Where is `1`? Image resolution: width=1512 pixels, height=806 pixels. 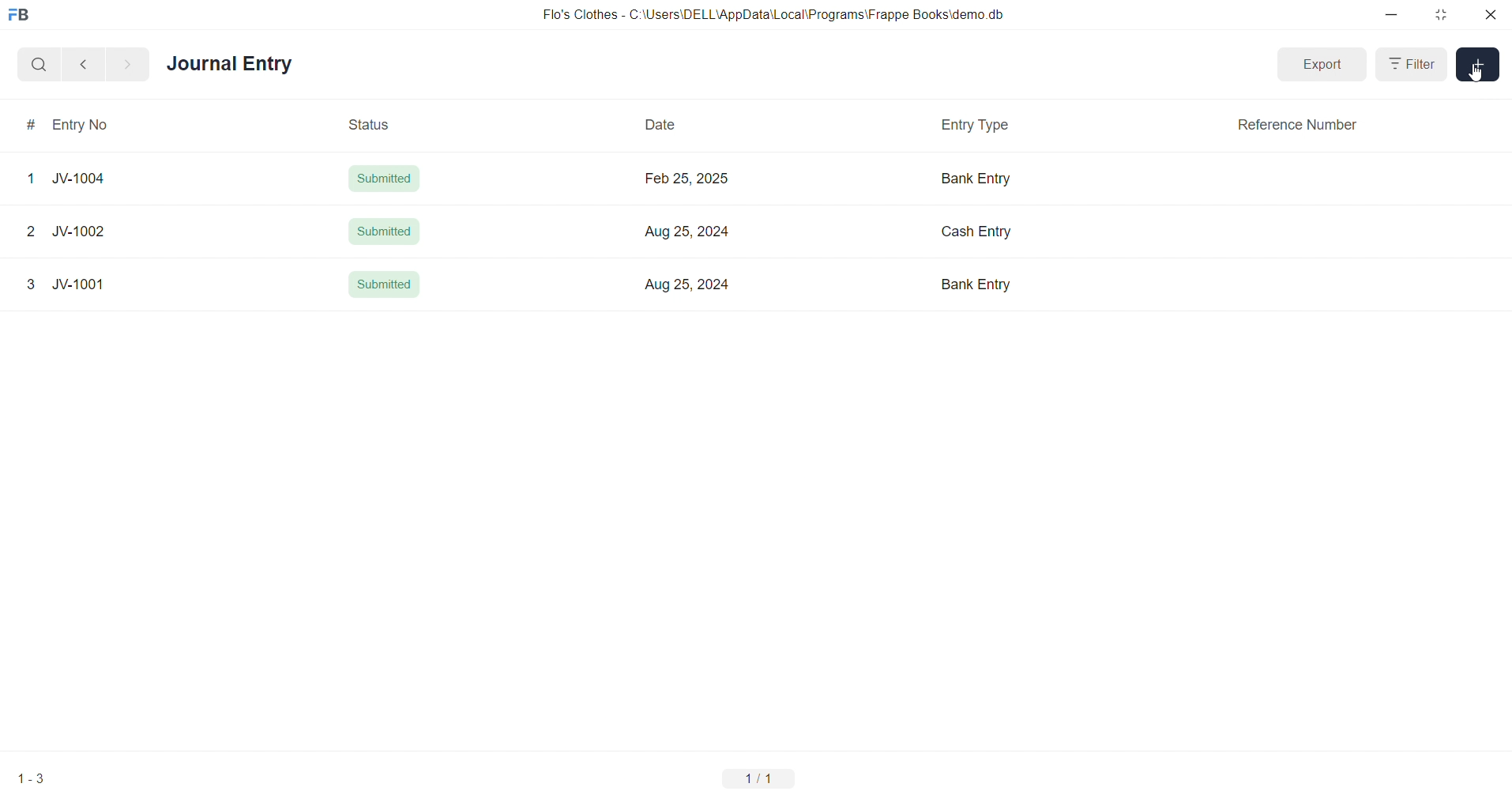
1 is located at coordinates (29, 176).